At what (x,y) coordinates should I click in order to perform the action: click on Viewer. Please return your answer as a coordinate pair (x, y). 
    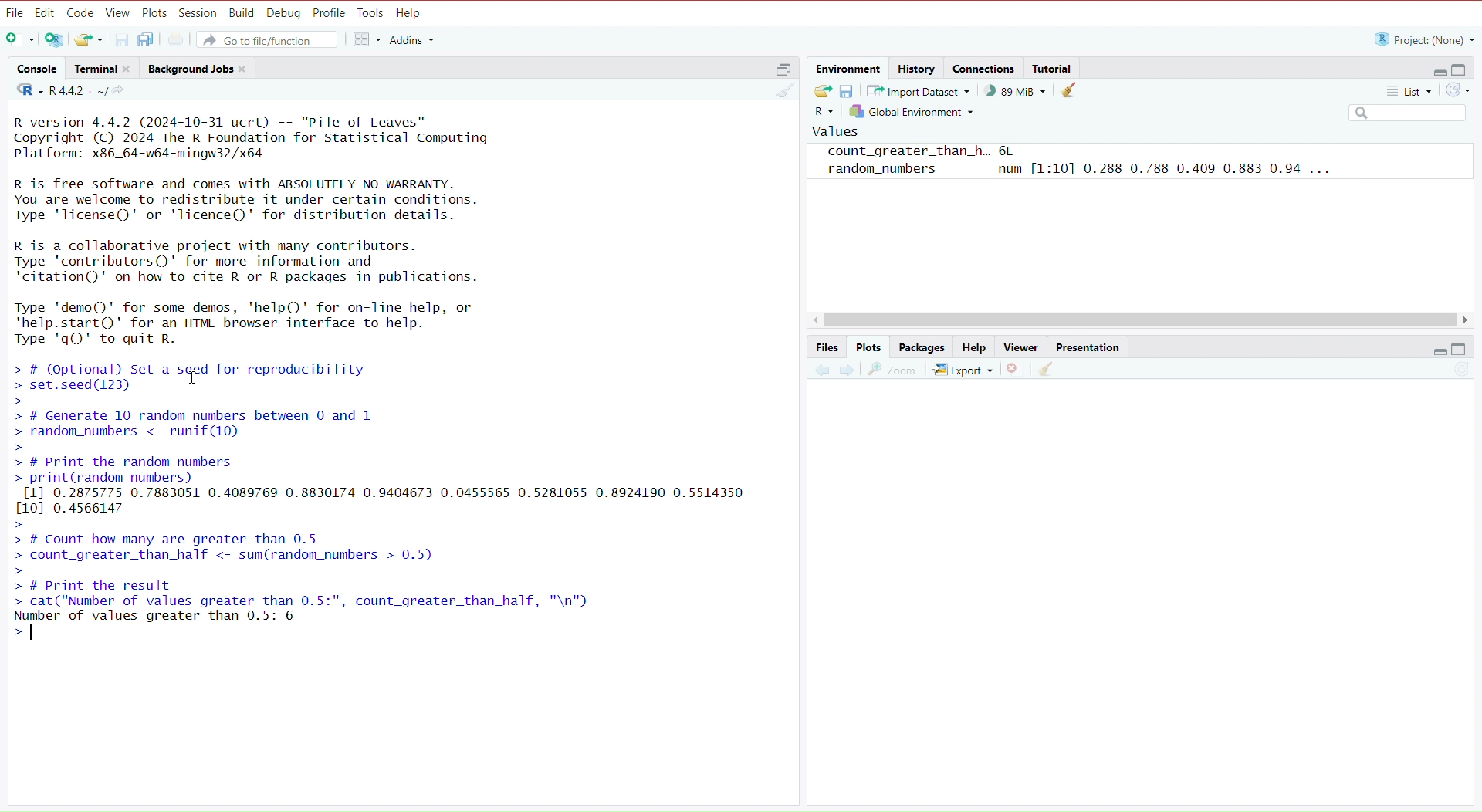
    Looking at the image, I should click on (1023, 346).